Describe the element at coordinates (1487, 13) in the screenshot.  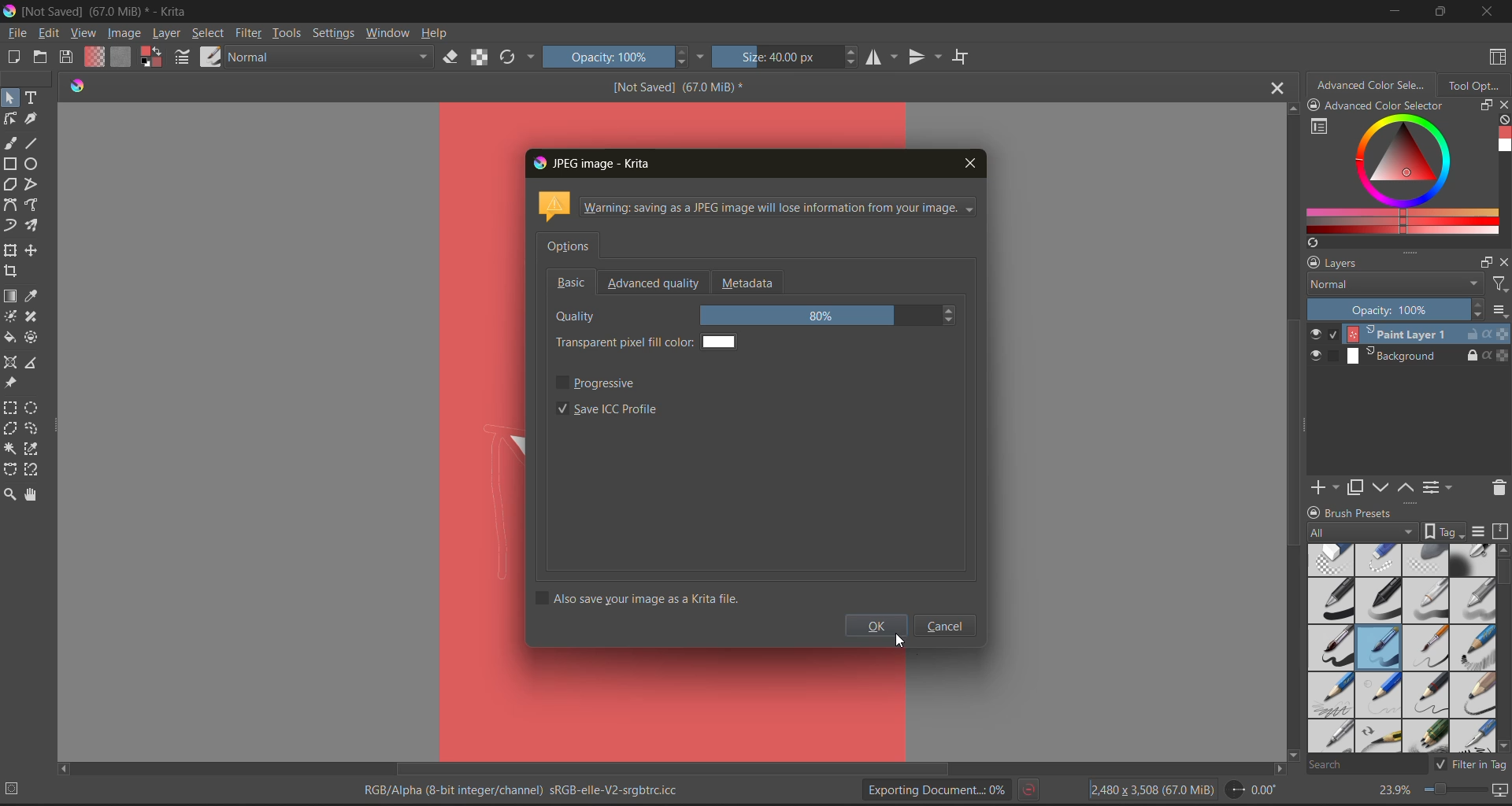
I see `close` at that location.